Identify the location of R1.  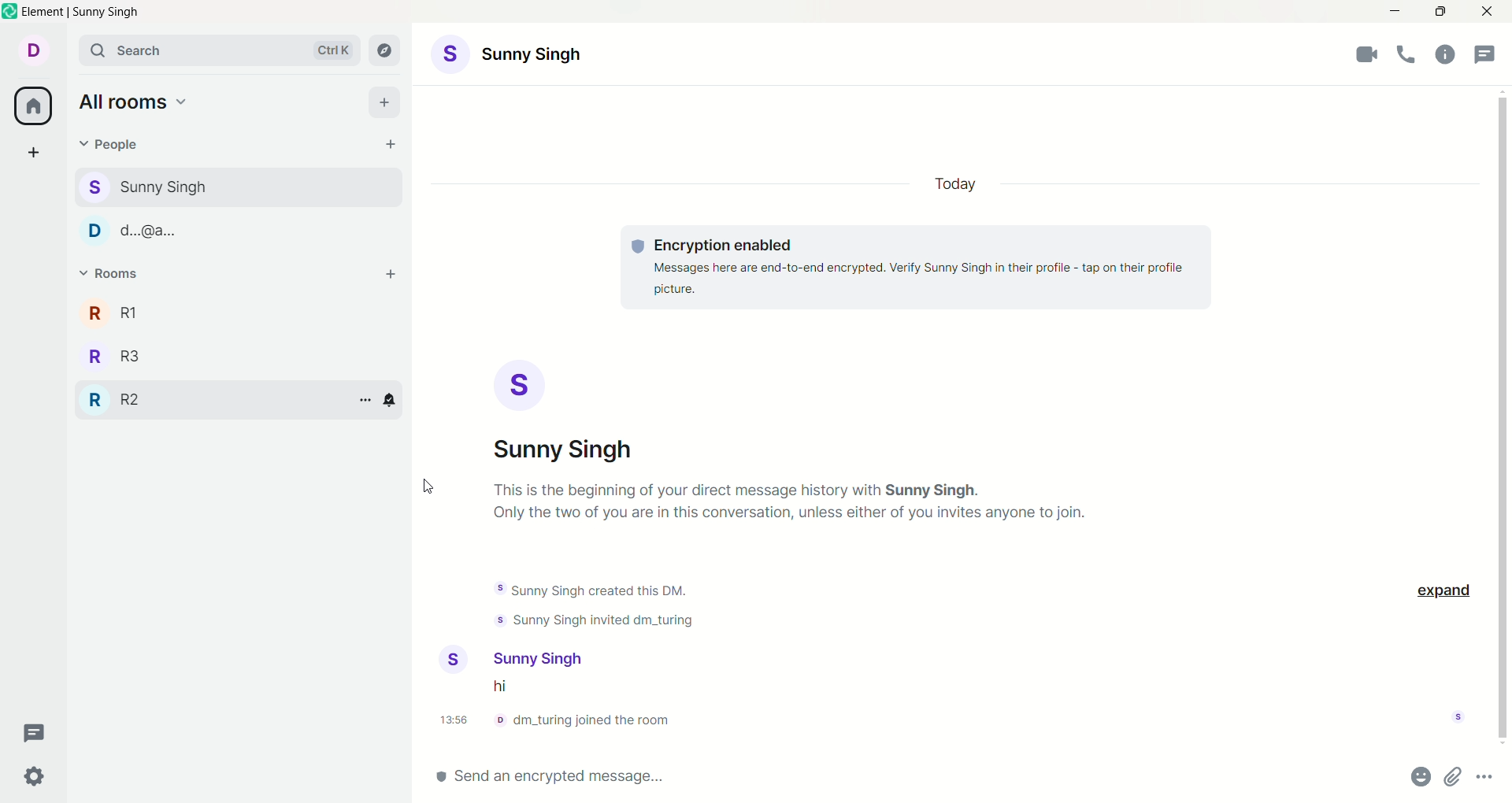
(114, 313).